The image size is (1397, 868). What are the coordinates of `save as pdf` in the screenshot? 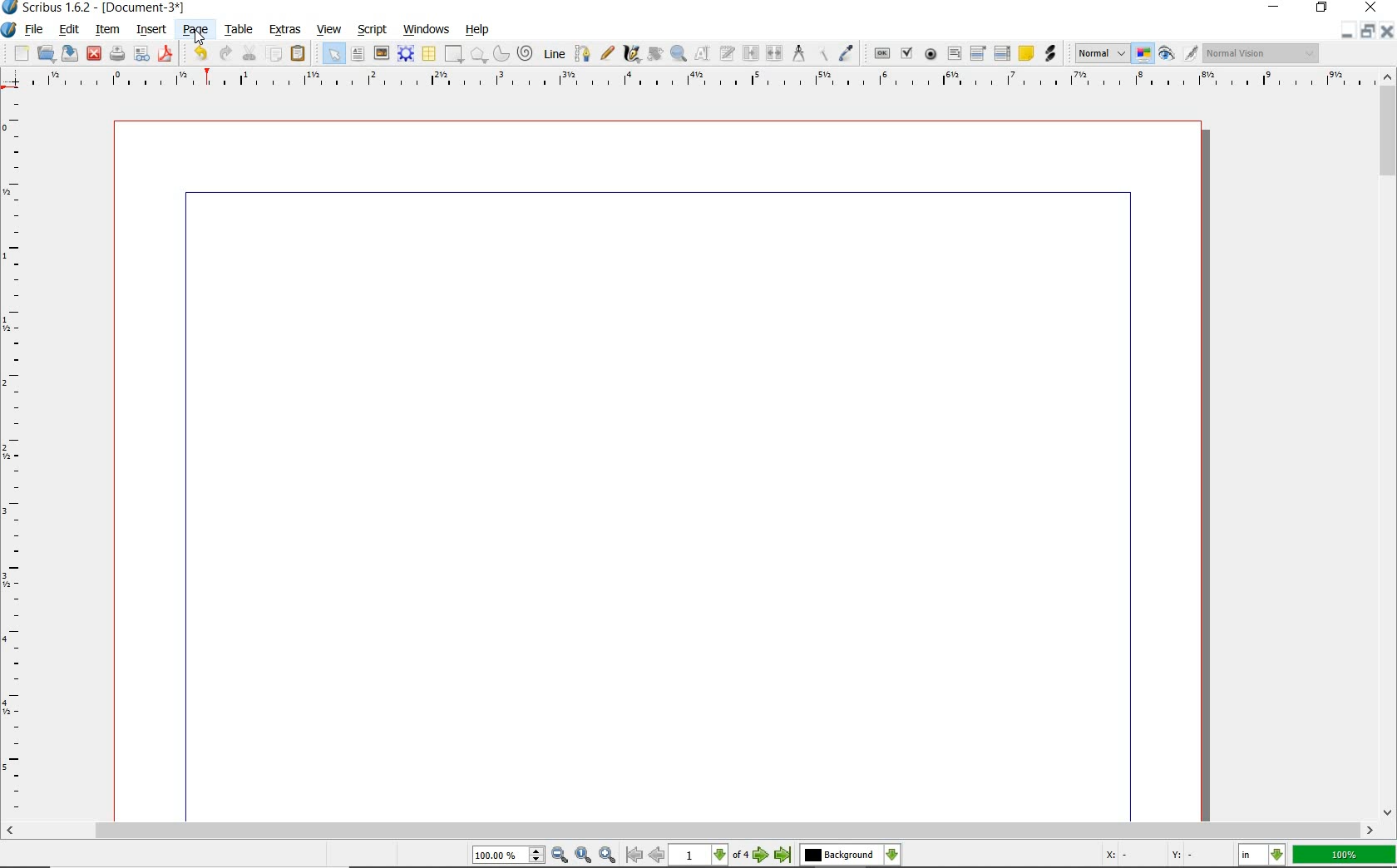 It's located at (165, 55).